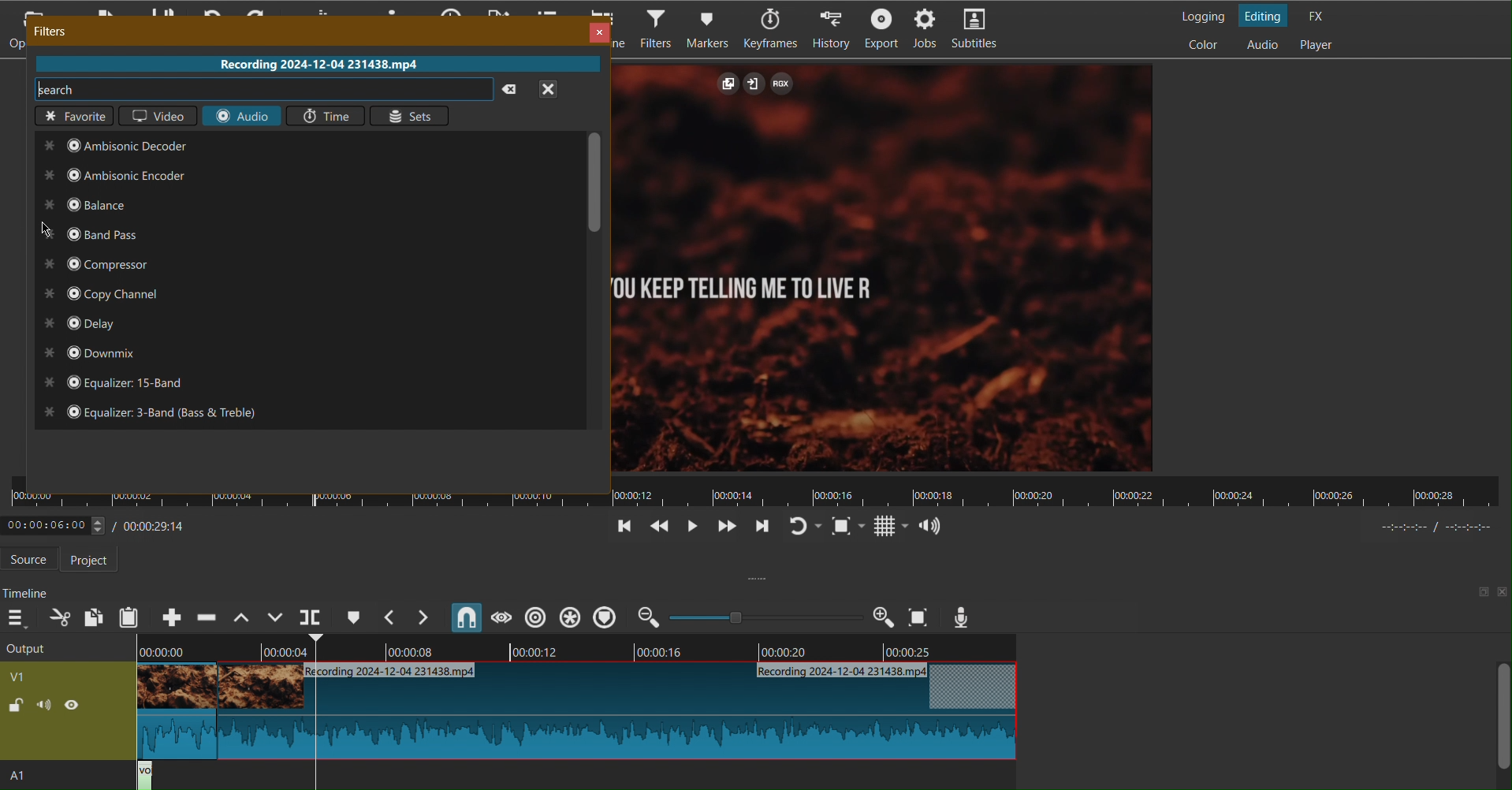 Image resolution: width=1512 pixels, height=790 pixels. Describe the element at coordinates (93, 616) in the screenshot. I see `Copy` at that location.